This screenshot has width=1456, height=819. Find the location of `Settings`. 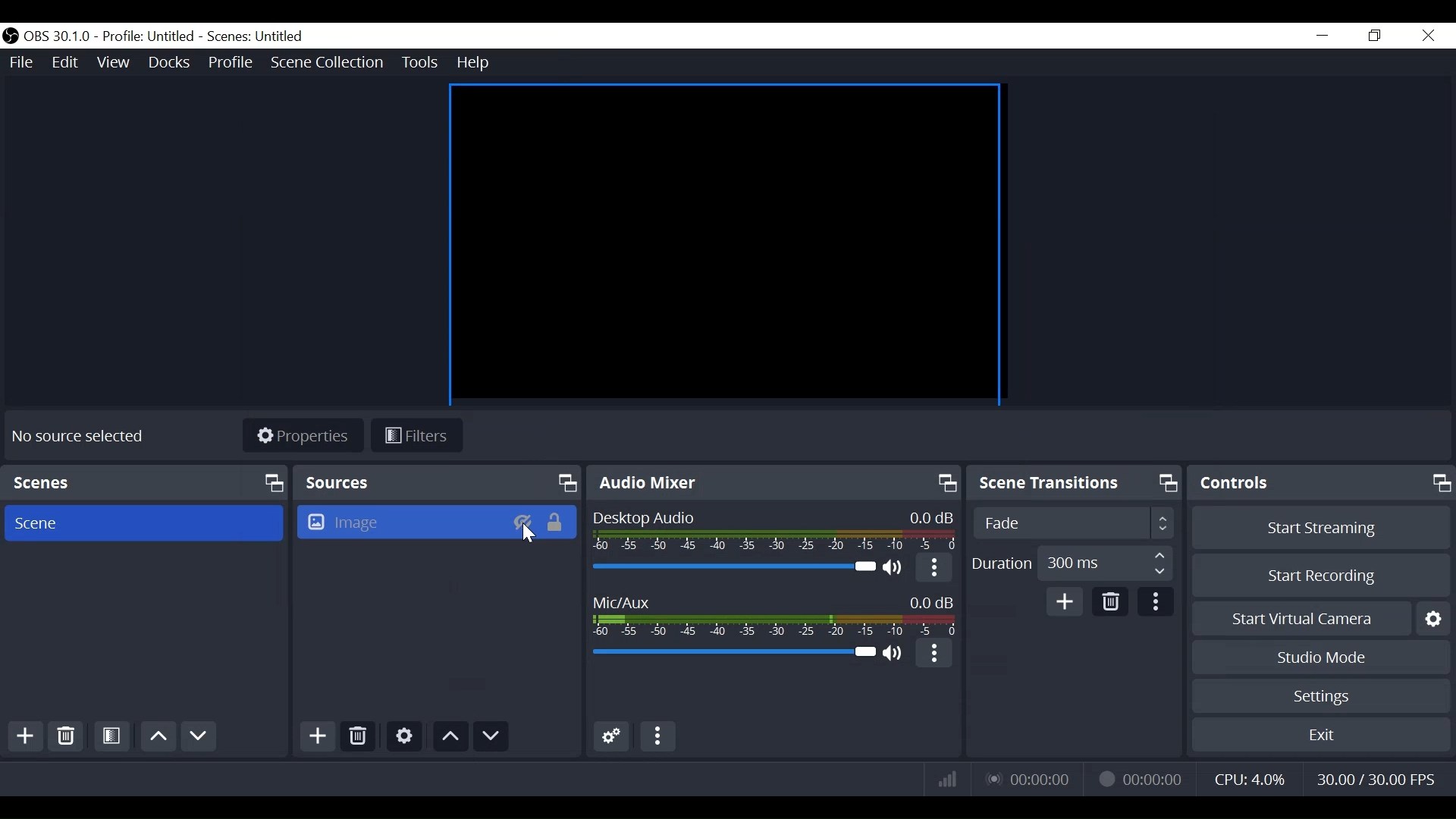

Settings is located at coordinates (404, 737).